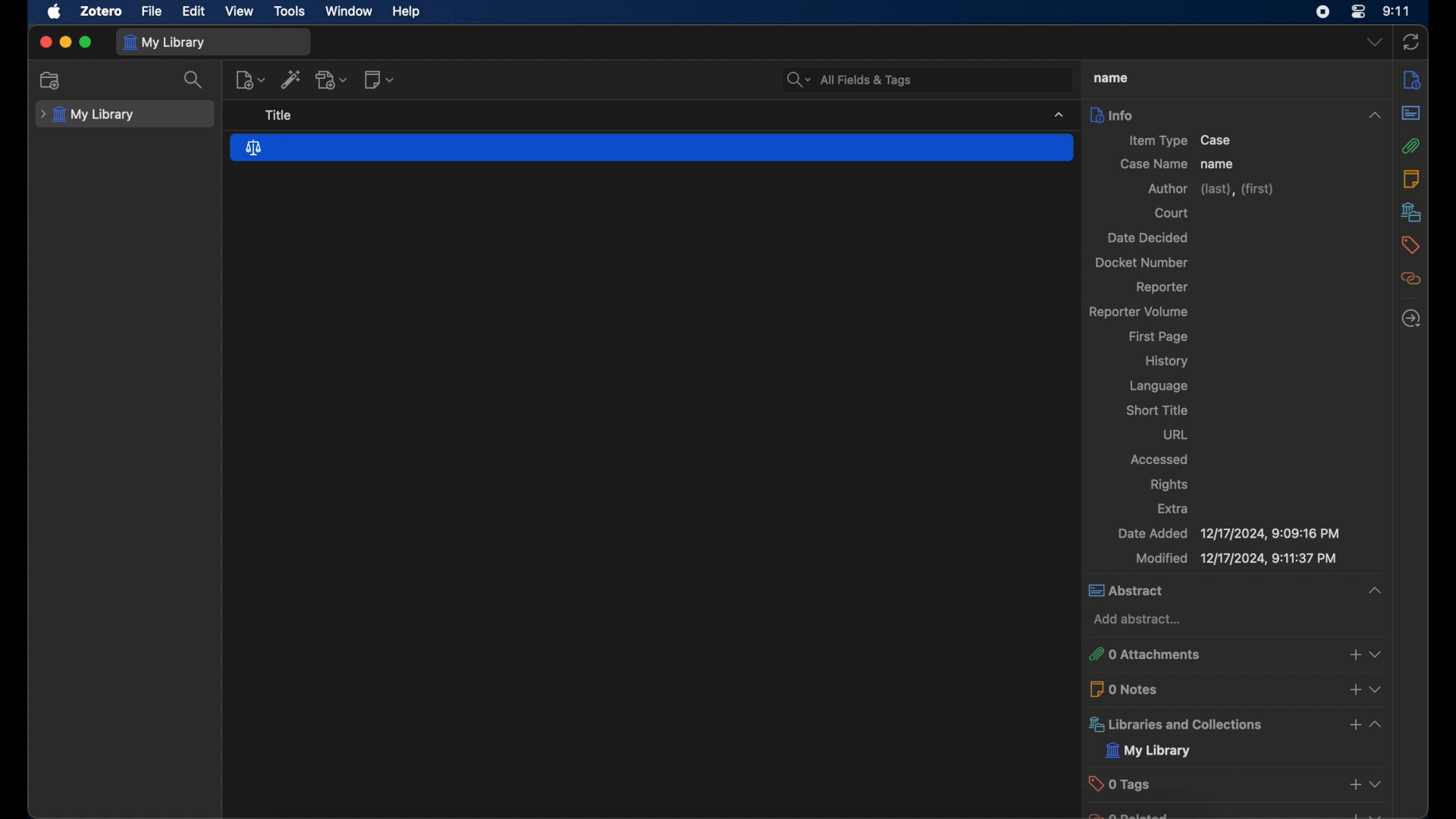 The width and height of the screenshot is (1456, 819). What do you see at coordinates (86, 42) in the screenshot?
I see `maximize` at bounding box center [86, 42].